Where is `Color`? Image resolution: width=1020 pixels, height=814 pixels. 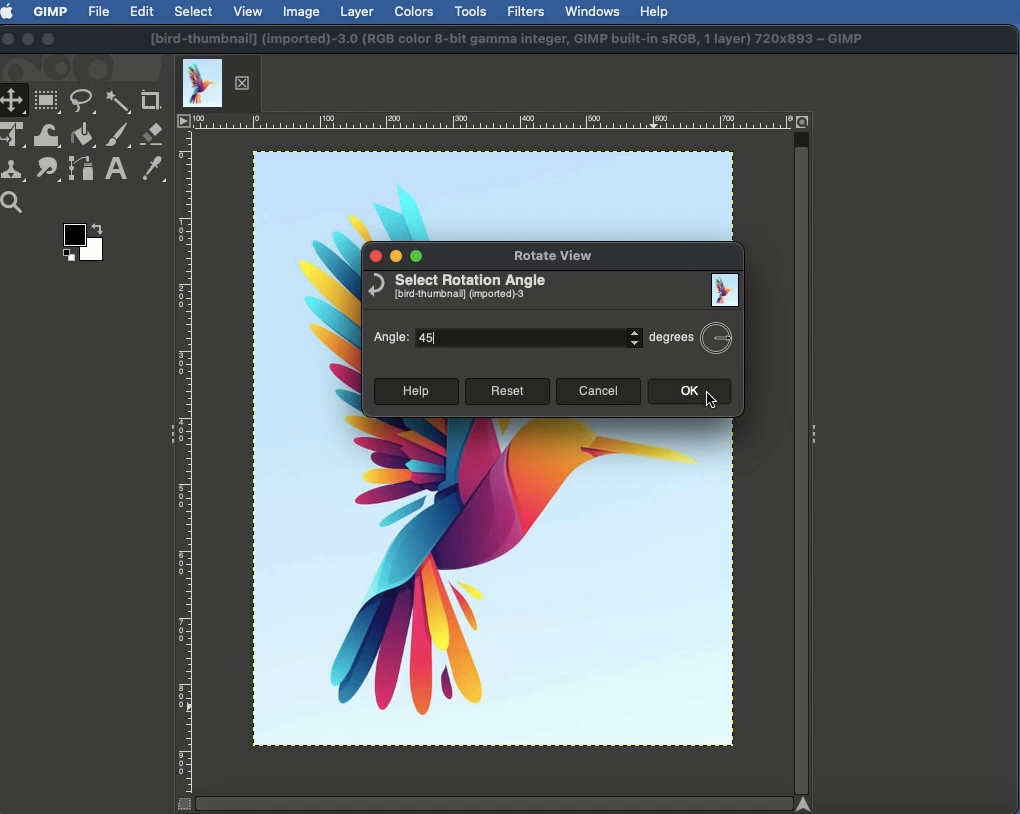 Color is located at coordinates (81, 246).